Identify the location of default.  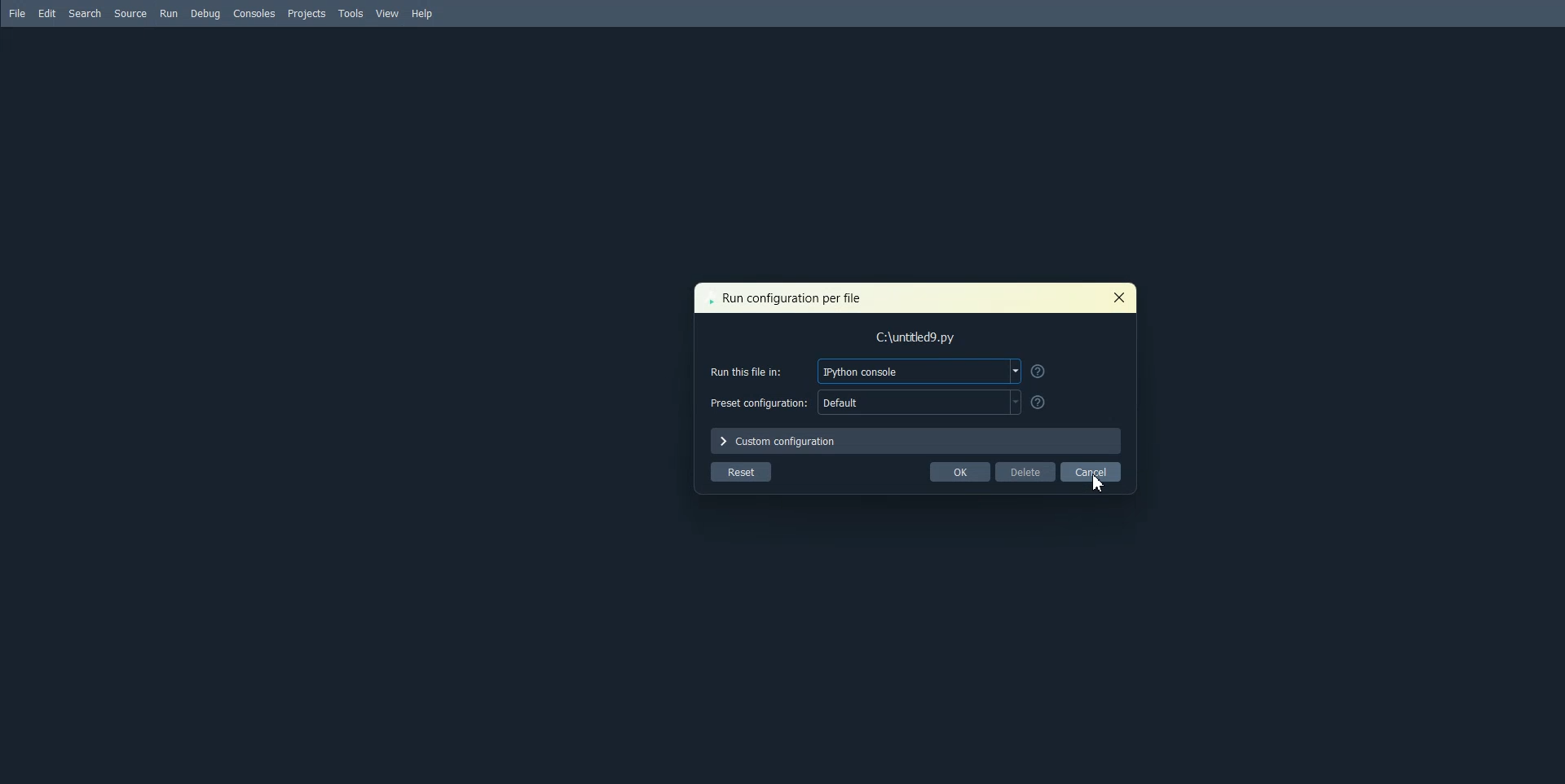
(919, 403).